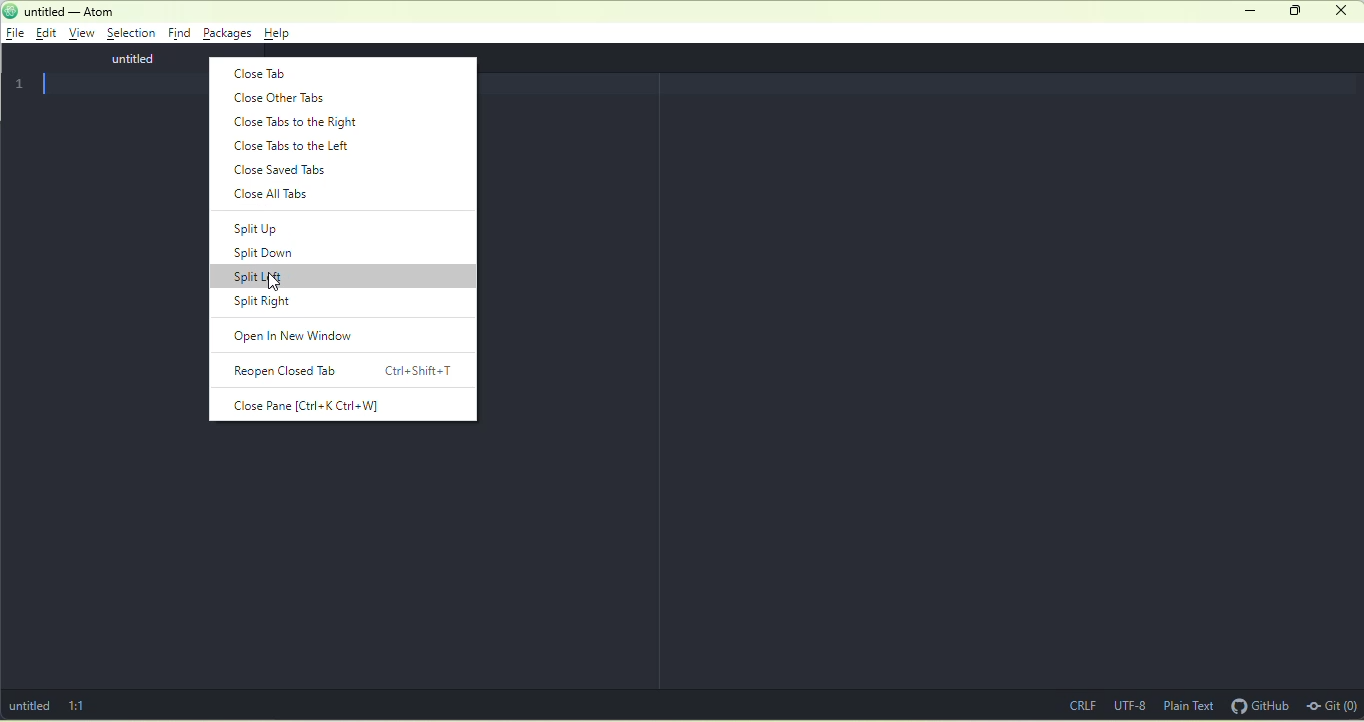 This screenshot has width=1364, height=722. What do you see at coordinates (102, 705) in the screenshot?
I see `1:1` at bounding box center [102, 705].